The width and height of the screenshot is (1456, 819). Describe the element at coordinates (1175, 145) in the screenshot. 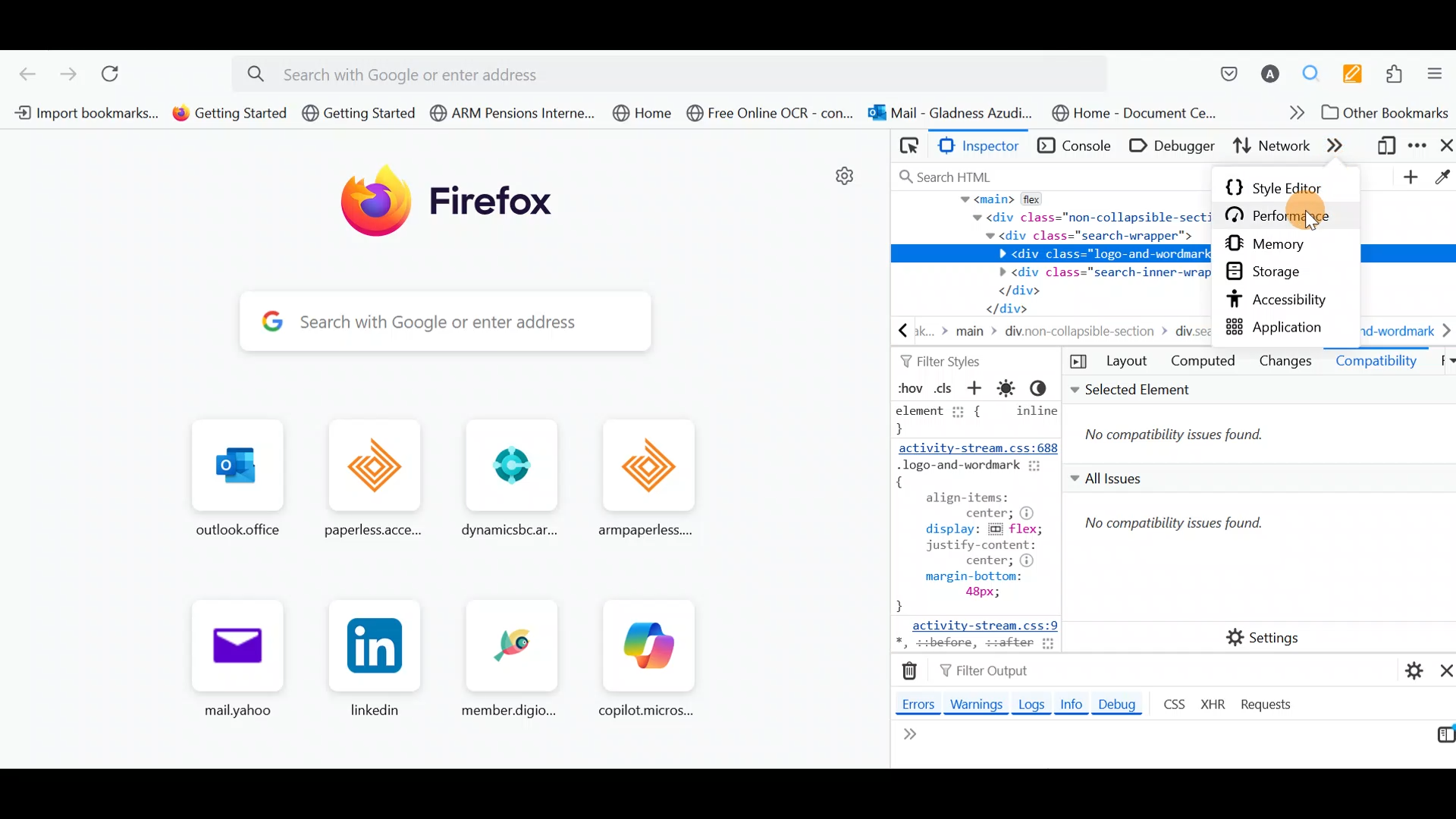

I see `Debugger` at that location.